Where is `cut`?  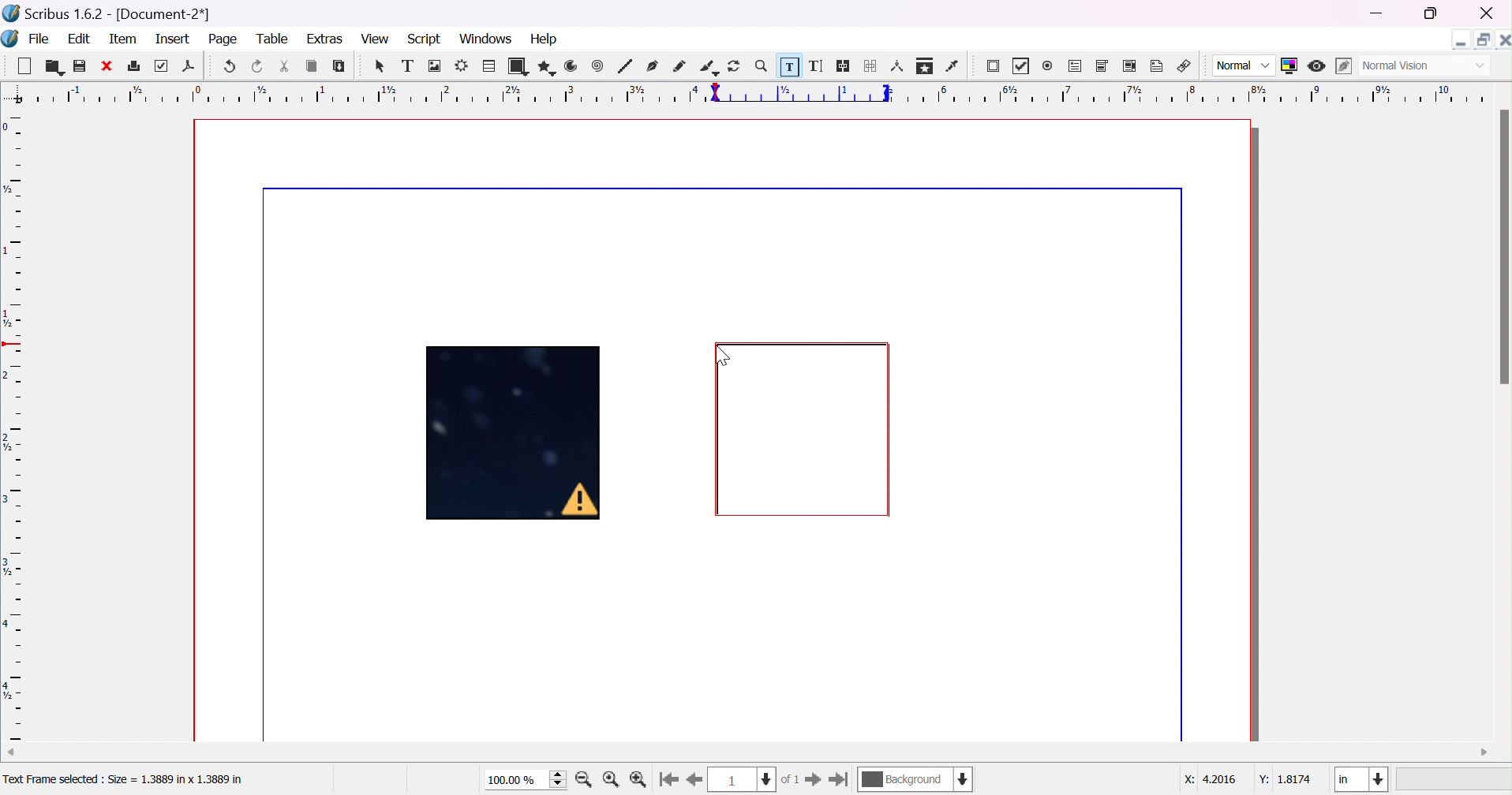 cut is located at coordinates (283, 66).